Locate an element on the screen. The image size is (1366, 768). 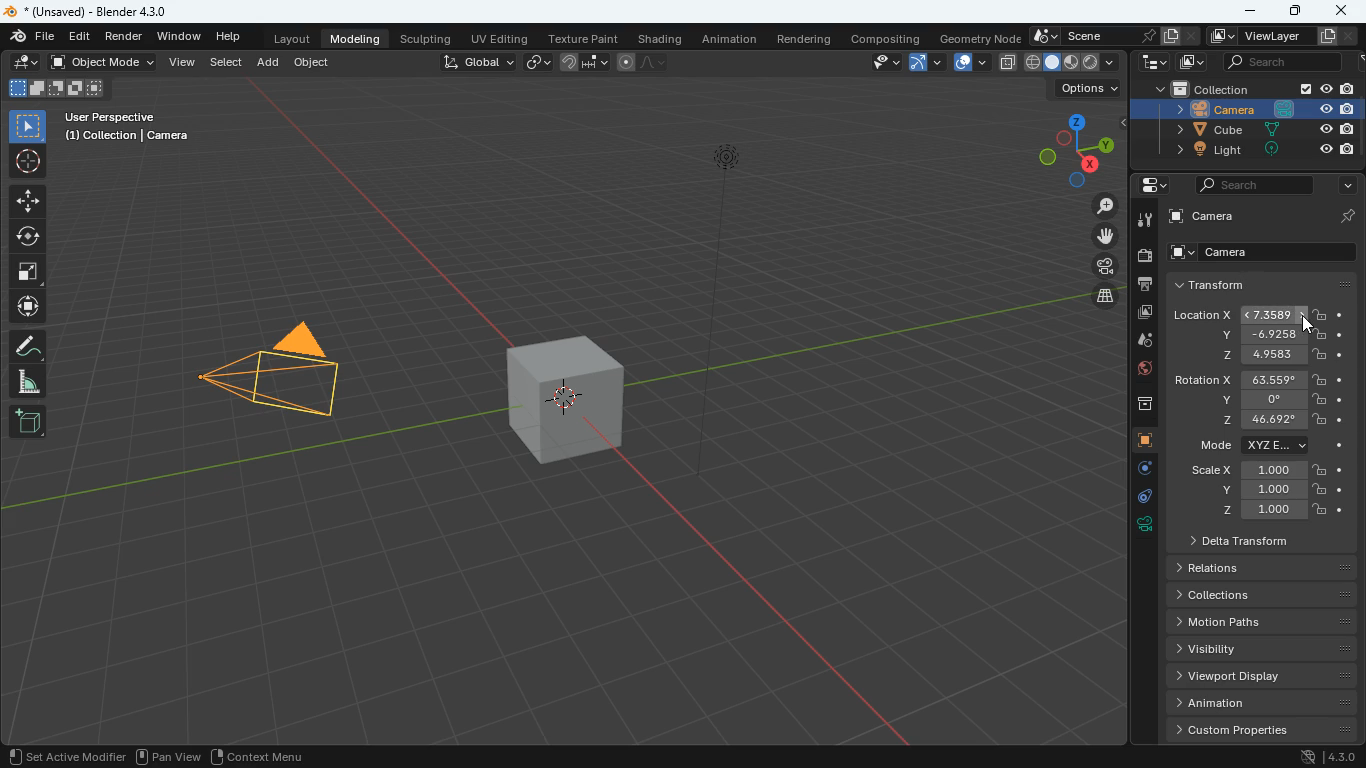
z is located at coordinates (1266, 425).